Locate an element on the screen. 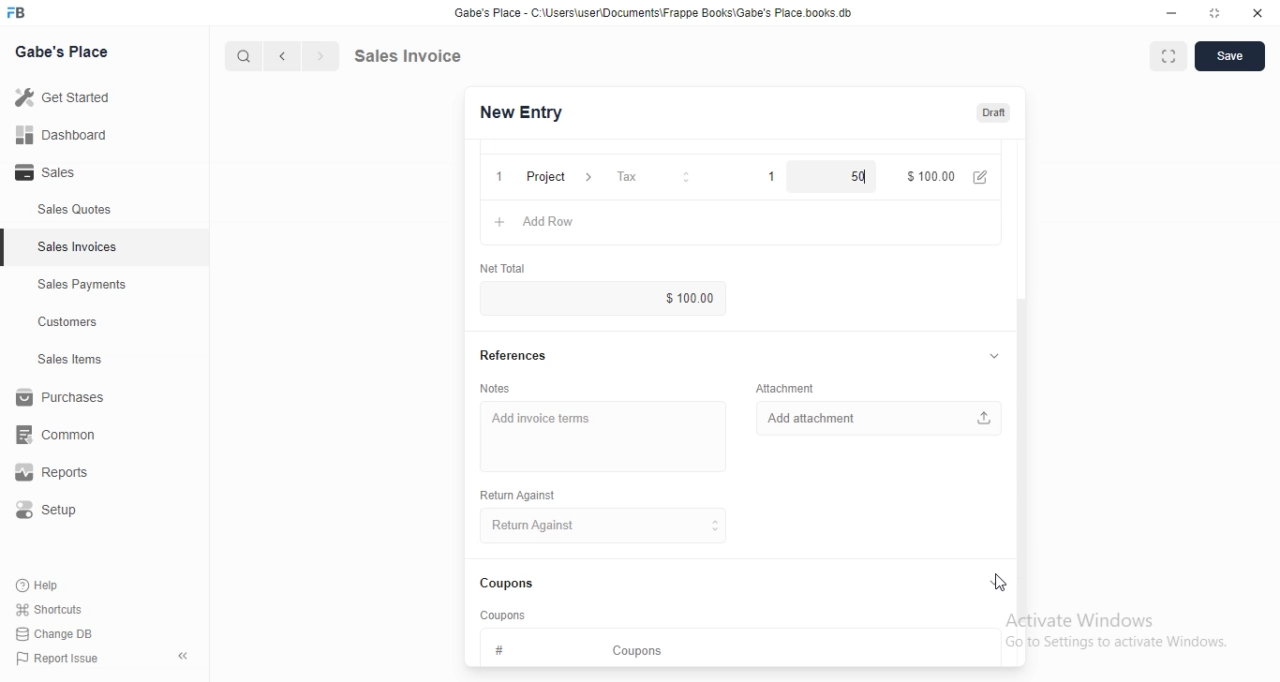 This screenshot has height=682, width=1280. Help is located at coordinates (57, 584).